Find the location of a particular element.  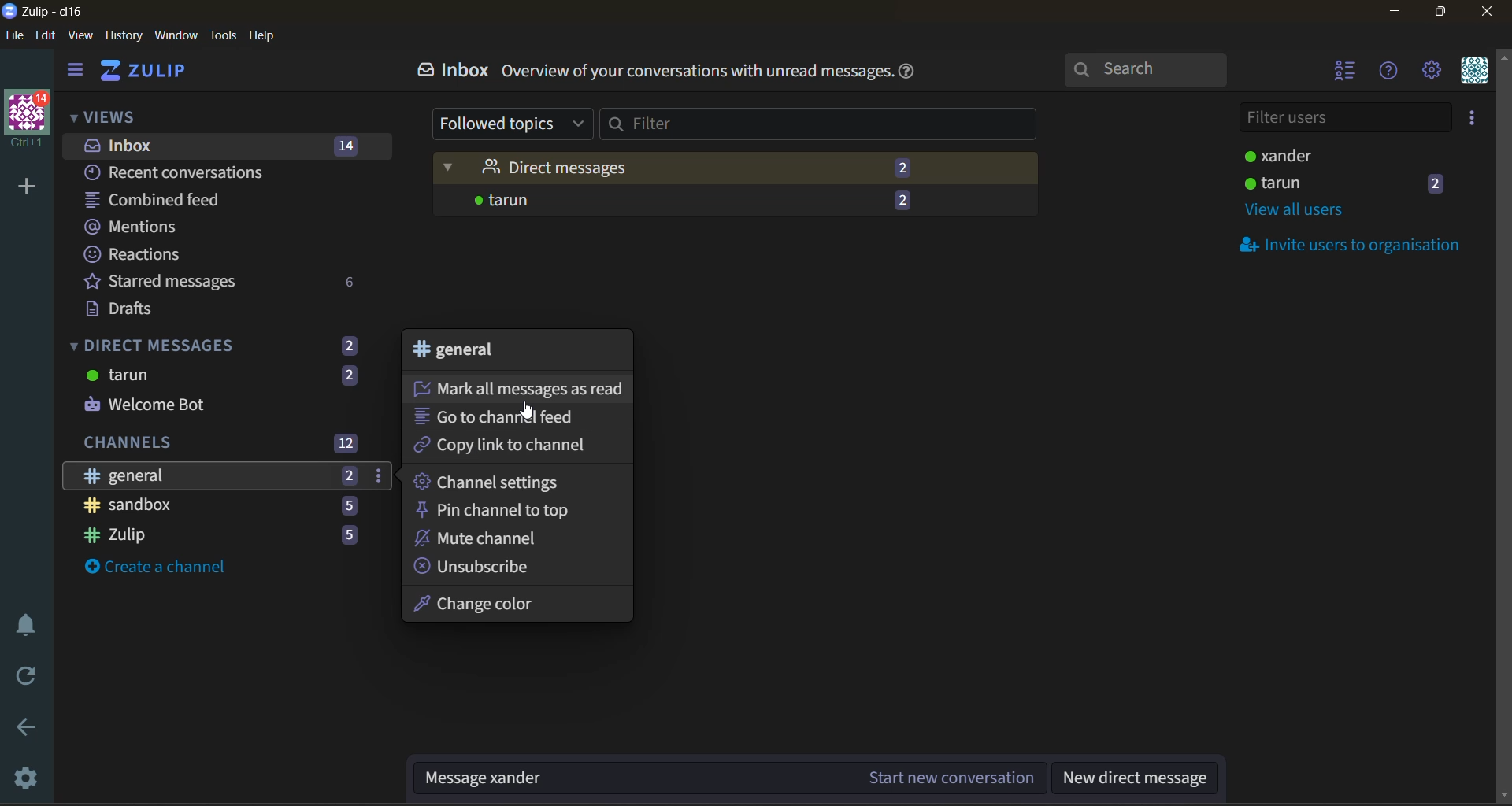

channel settings is located at coordinates (503, 479).